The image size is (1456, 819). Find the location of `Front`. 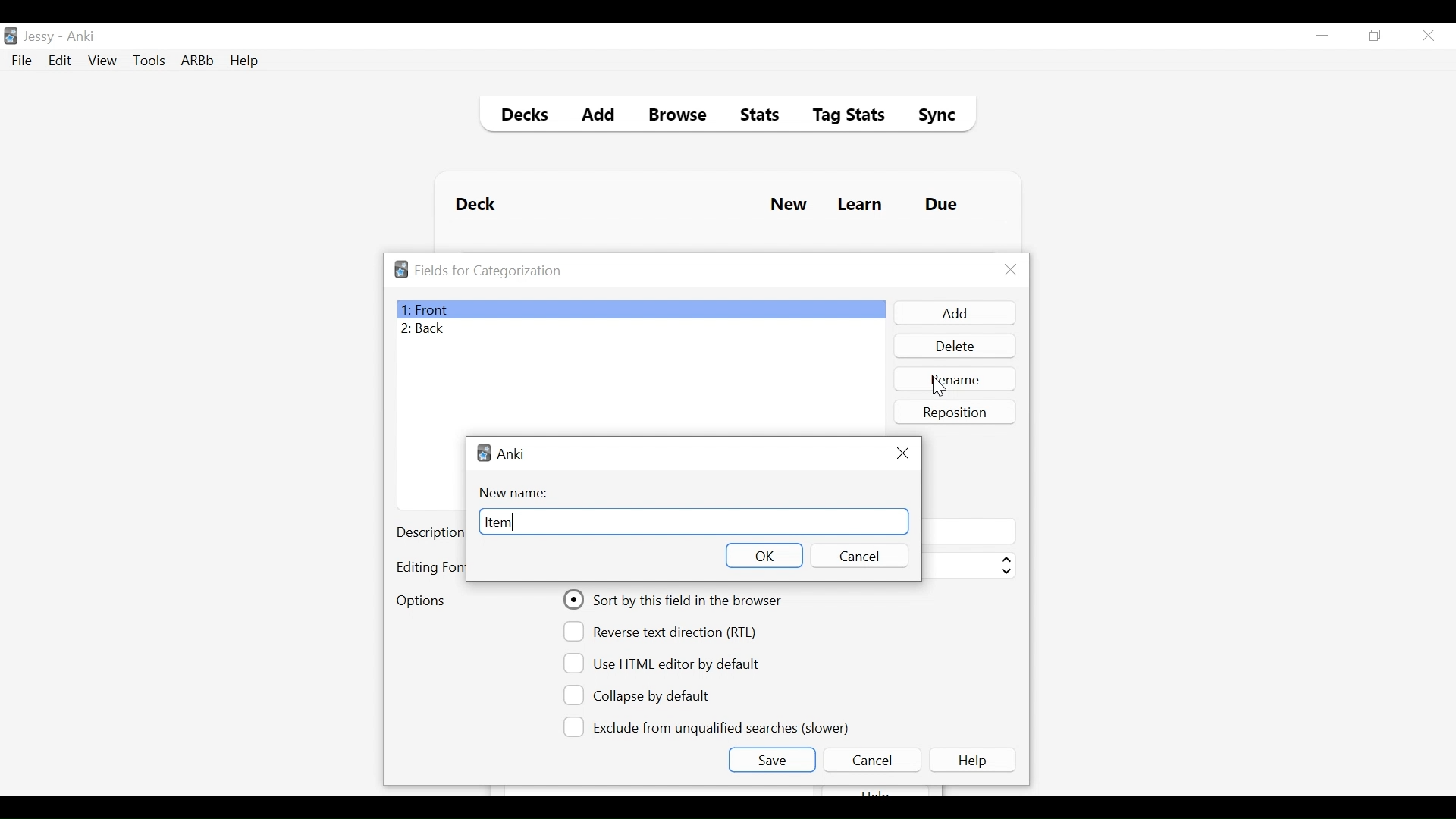

Front is located at coordinates (640, 309).